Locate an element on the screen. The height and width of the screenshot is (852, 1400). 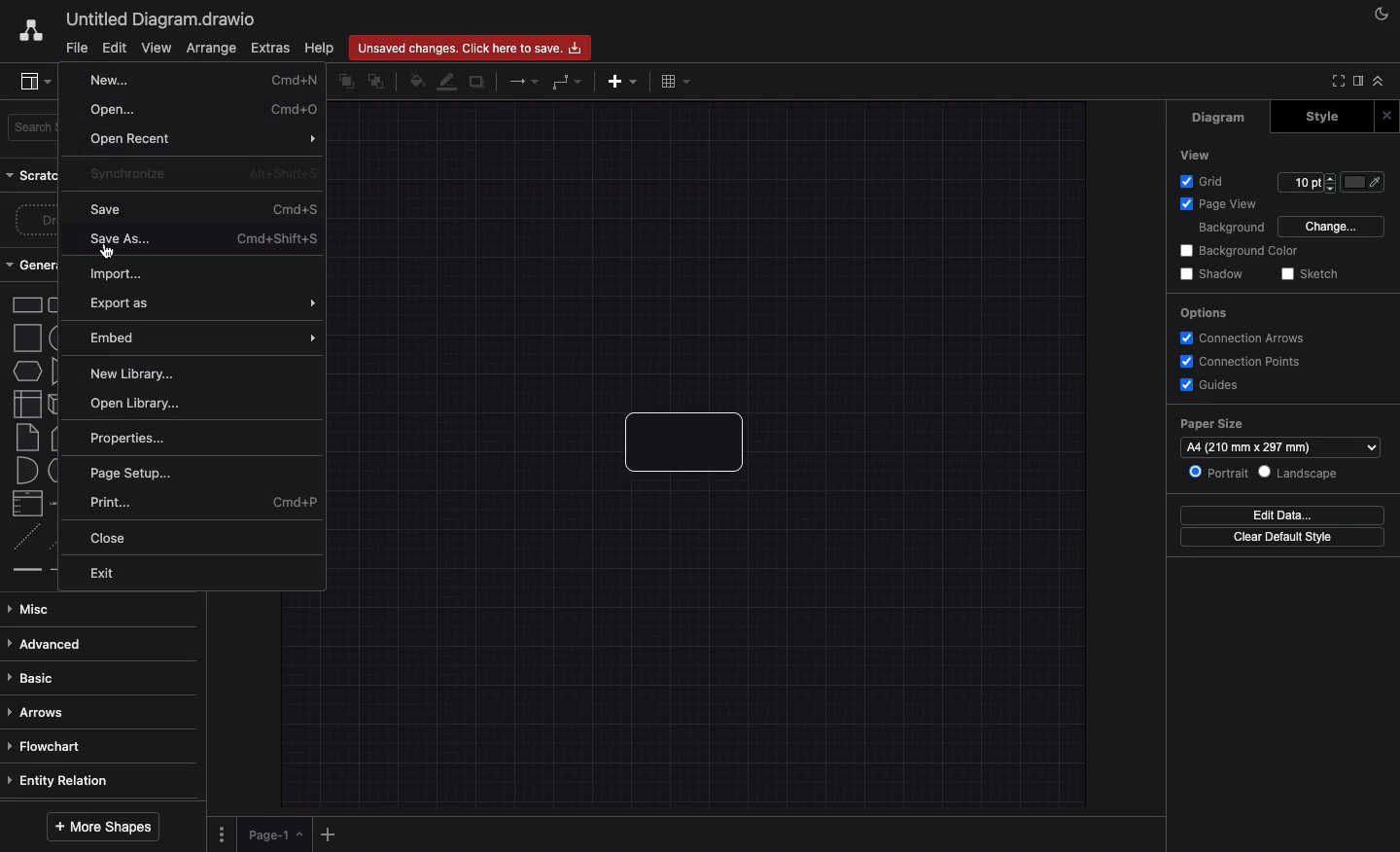
To back is located at coordinates (379, 84).